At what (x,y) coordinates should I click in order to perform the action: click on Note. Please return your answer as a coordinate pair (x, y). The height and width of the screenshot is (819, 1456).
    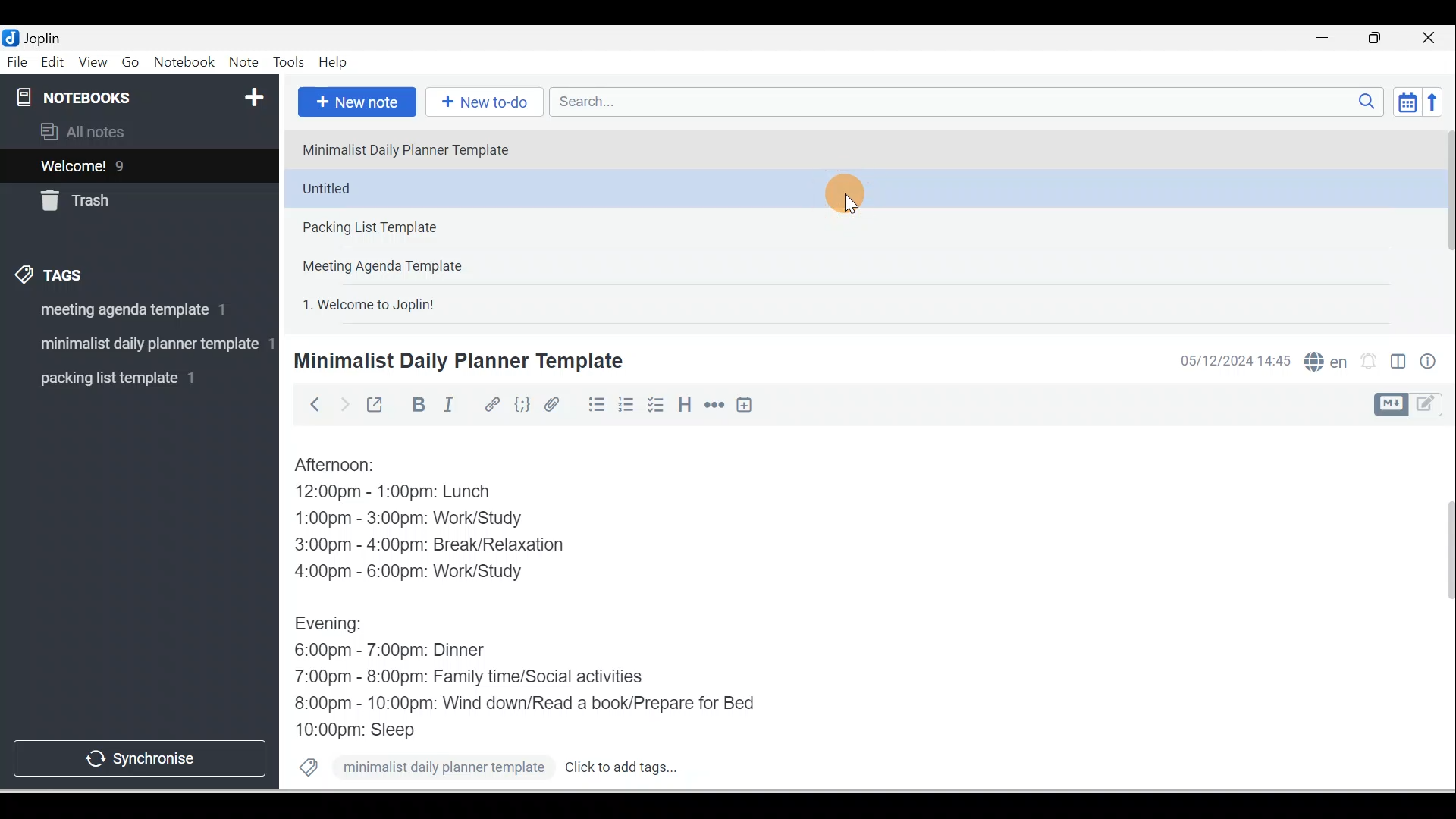
    Looking at the image, I should click on (242, 63).